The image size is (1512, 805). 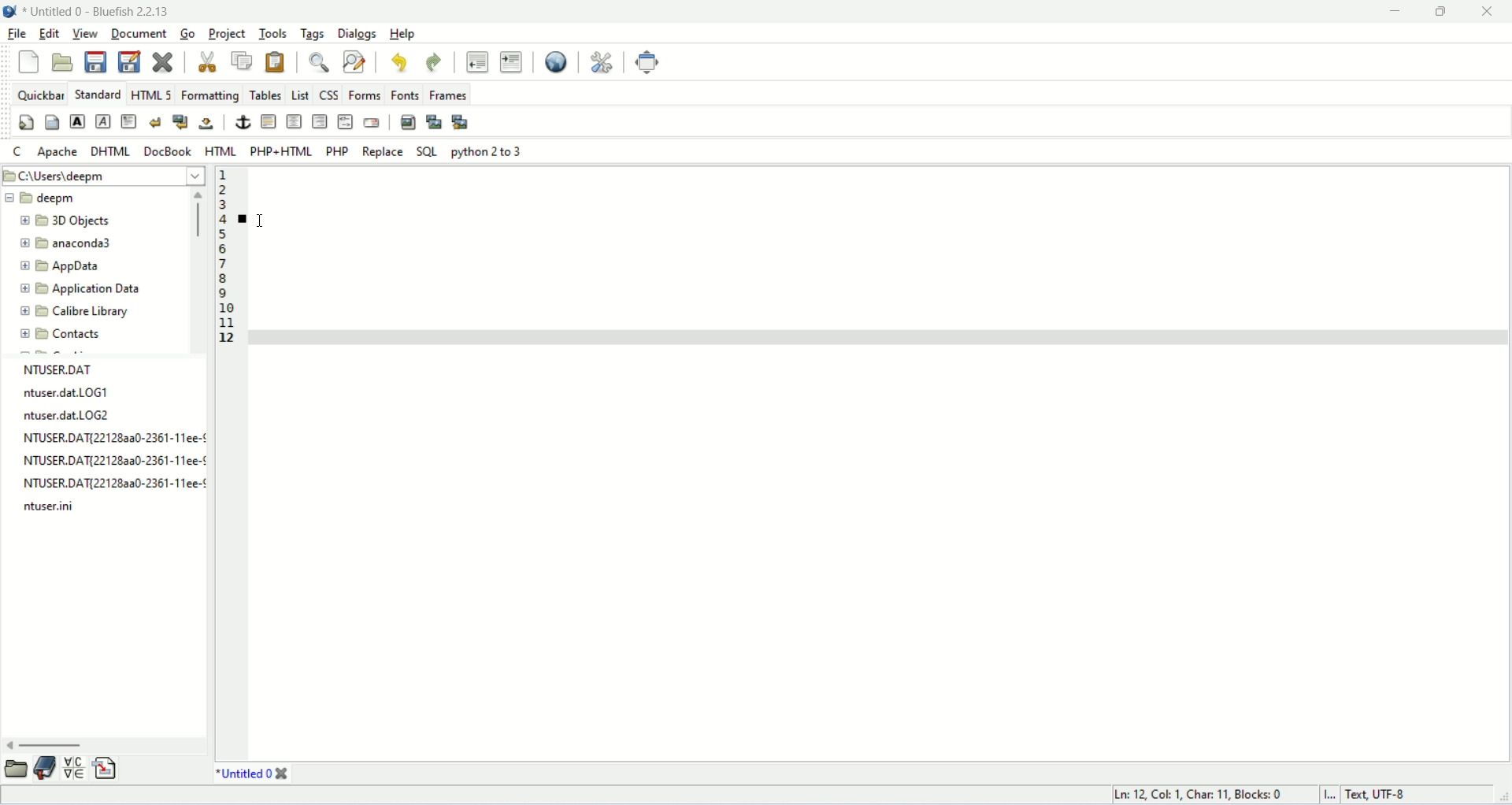 I want to click on center, so click(x=295, y=121).